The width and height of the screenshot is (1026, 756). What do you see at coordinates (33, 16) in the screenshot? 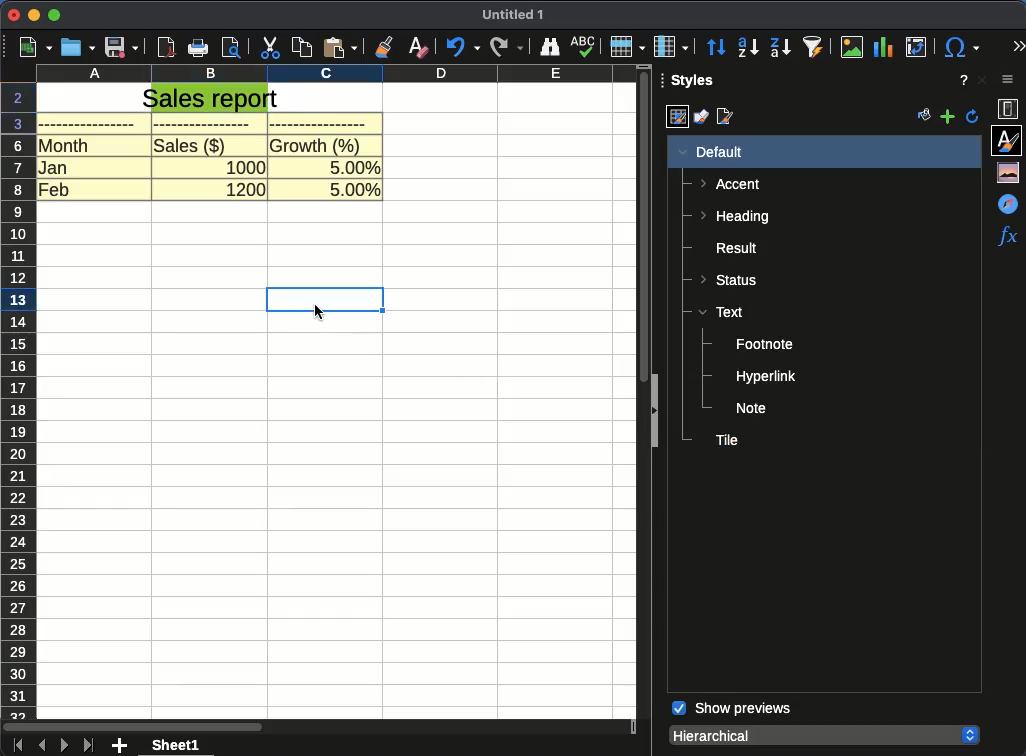
I see `minimize` at bounding box center [33, 16].